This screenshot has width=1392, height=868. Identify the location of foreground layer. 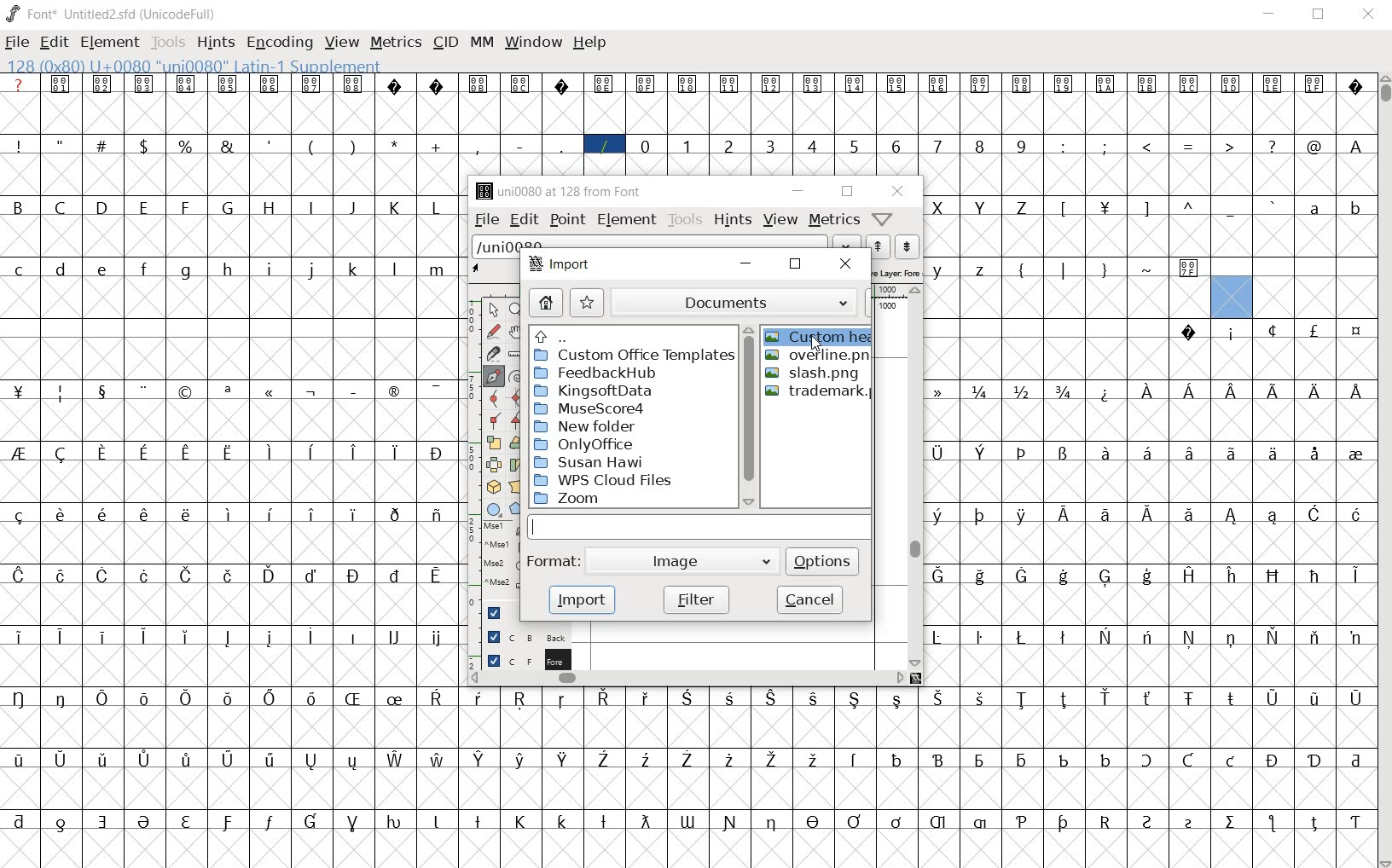
(518, 658).